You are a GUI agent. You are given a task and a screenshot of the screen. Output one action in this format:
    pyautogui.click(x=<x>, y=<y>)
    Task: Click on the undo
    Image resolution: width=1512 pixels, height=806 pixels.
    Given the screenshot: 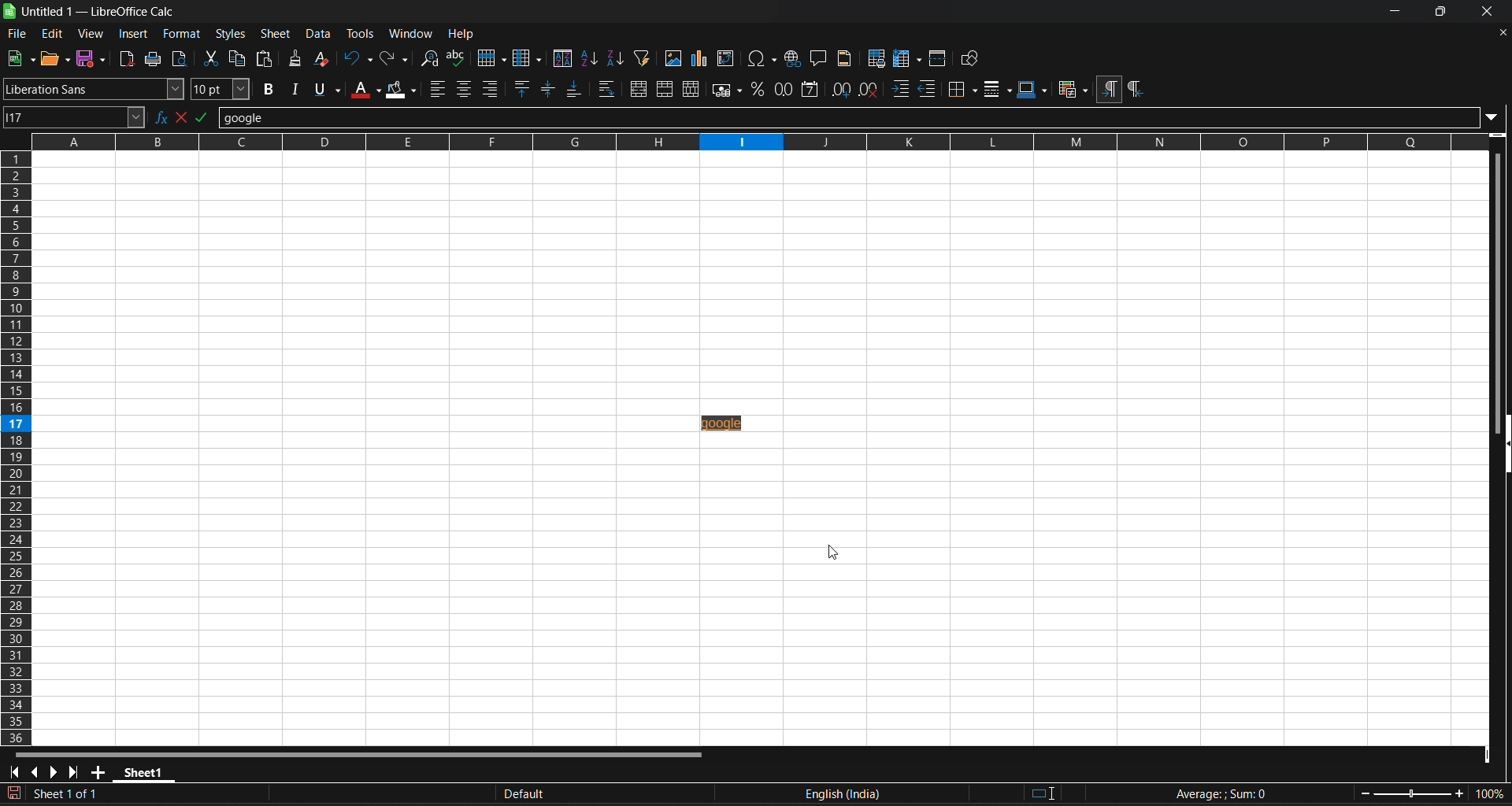 What is the action you would take?
    pyautogui.click(x=358, y=58)
    